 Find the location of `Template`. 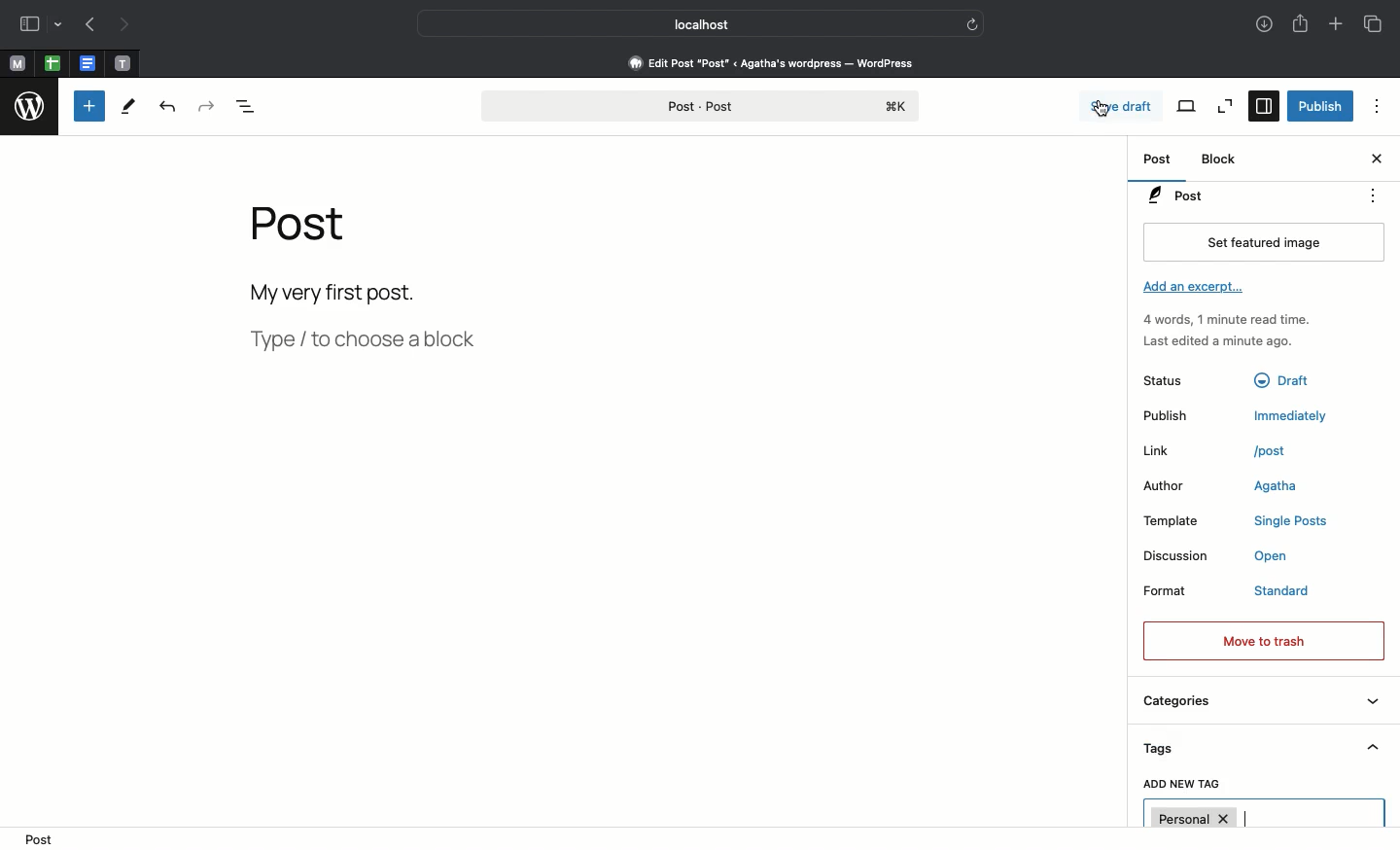

Template is located at coordinates (1178, 519).